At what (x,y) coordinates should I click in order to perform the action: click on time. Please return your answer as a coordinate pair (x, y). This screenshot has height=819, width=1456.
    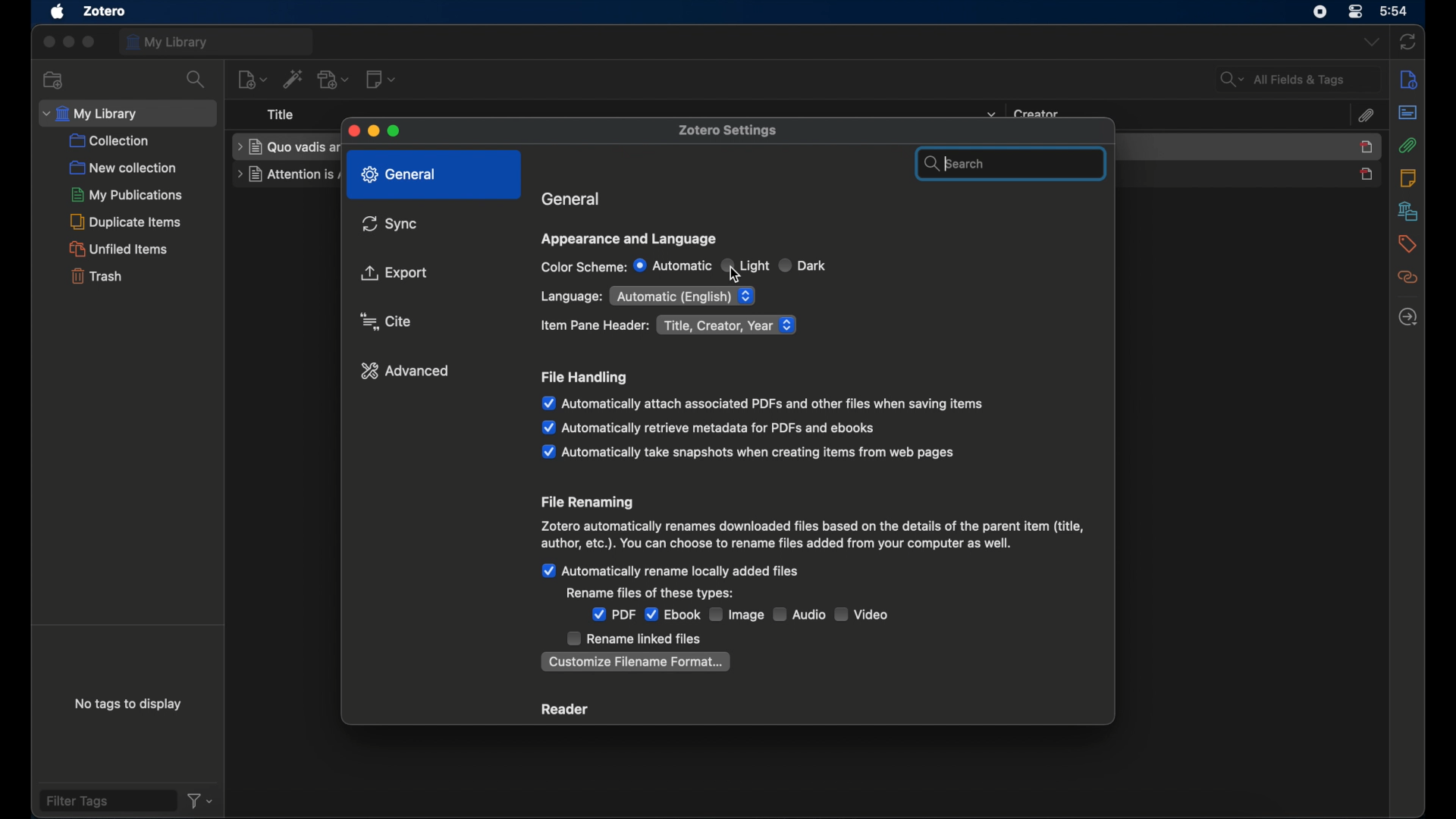
    Looking at the image, I should click on (1393, 11).